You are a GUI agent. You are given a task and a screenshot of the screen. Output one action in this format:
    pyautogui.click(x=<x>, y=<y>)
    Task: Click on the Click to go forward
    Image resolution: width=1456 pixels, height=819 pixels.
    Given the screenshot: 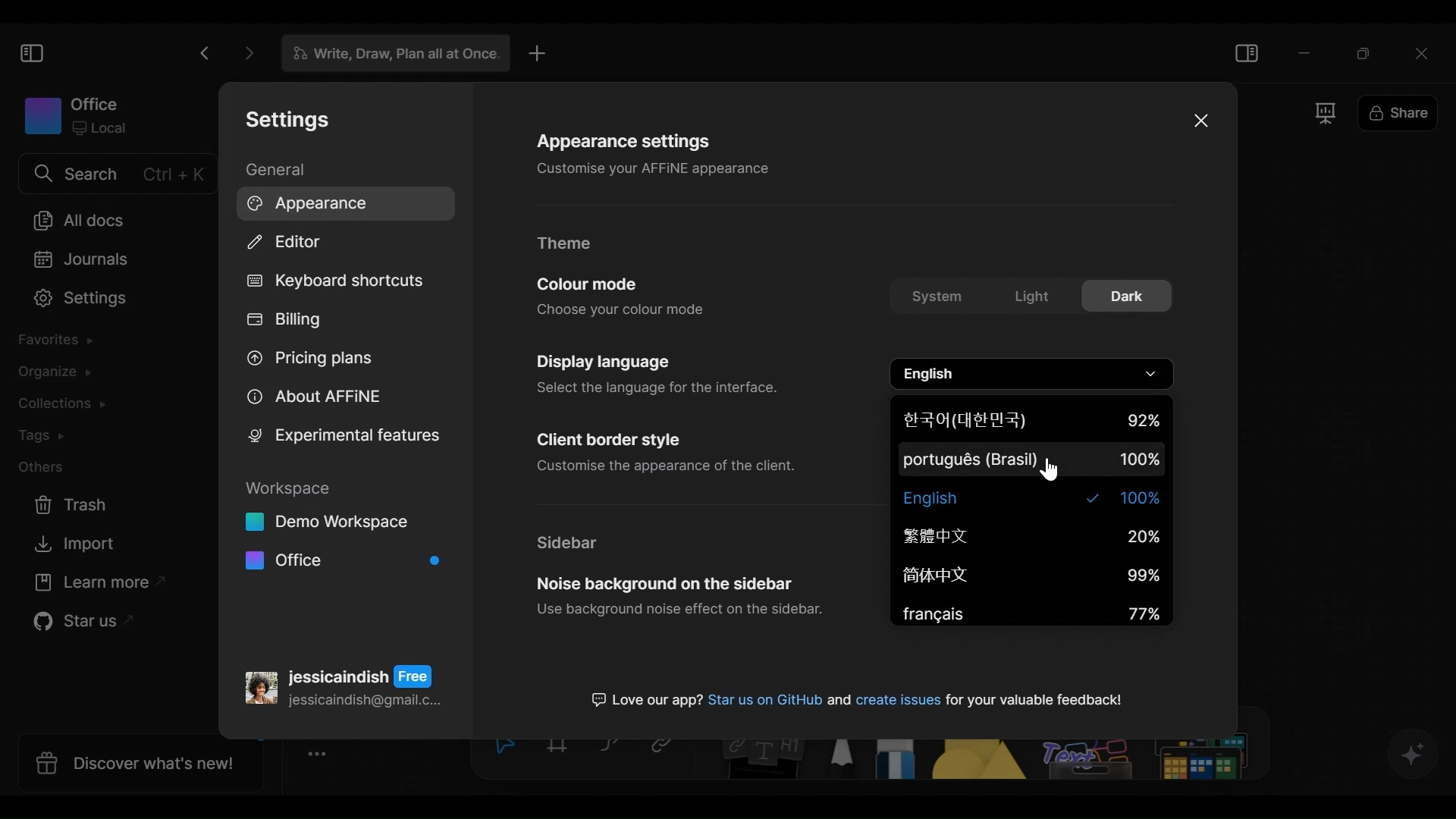 What is the action you would take?
    pyautogui.click(x=244, y=53)
    